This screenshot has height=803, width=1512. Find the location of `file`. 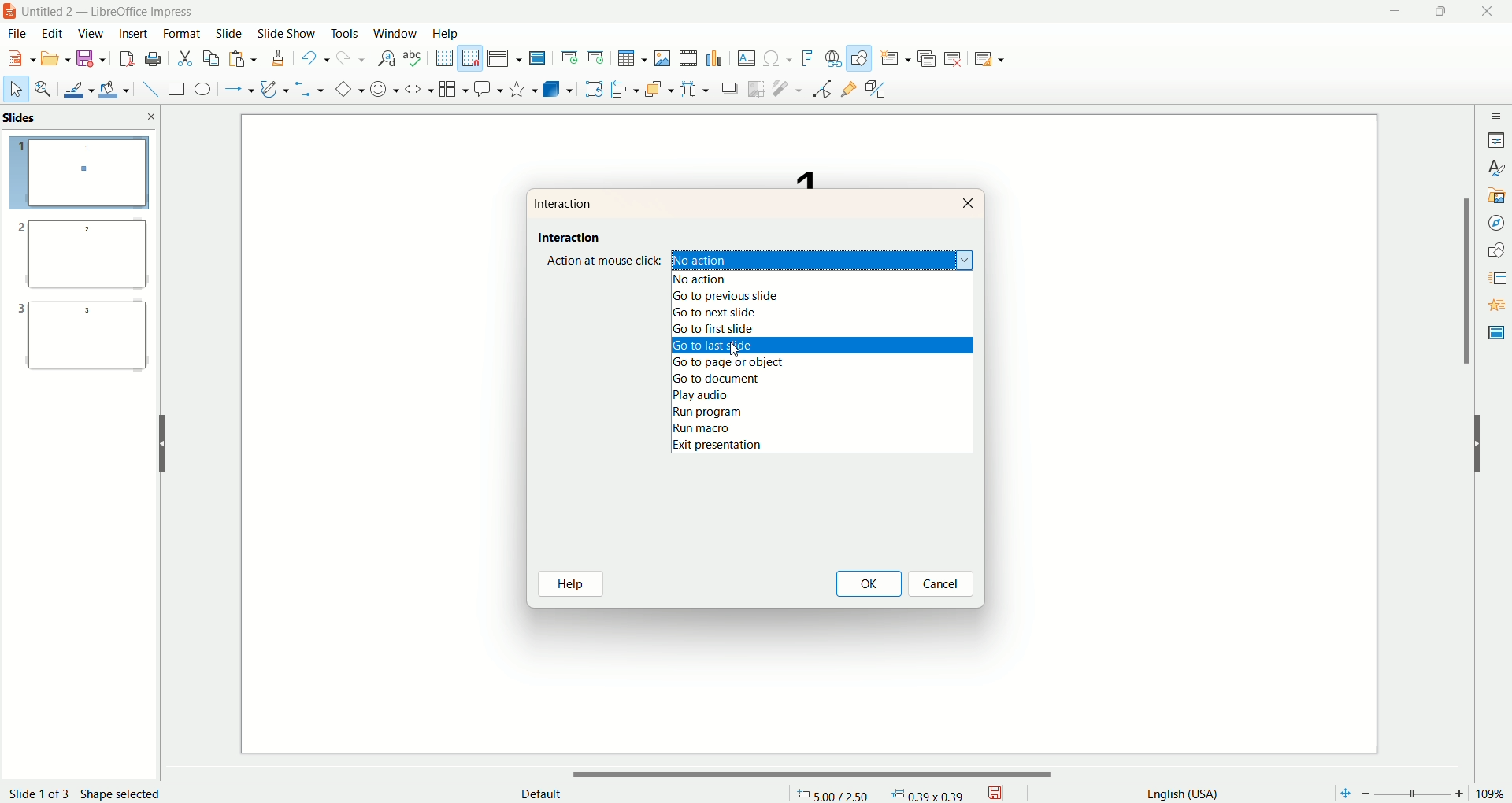

file is located at coordinates (22, 34).